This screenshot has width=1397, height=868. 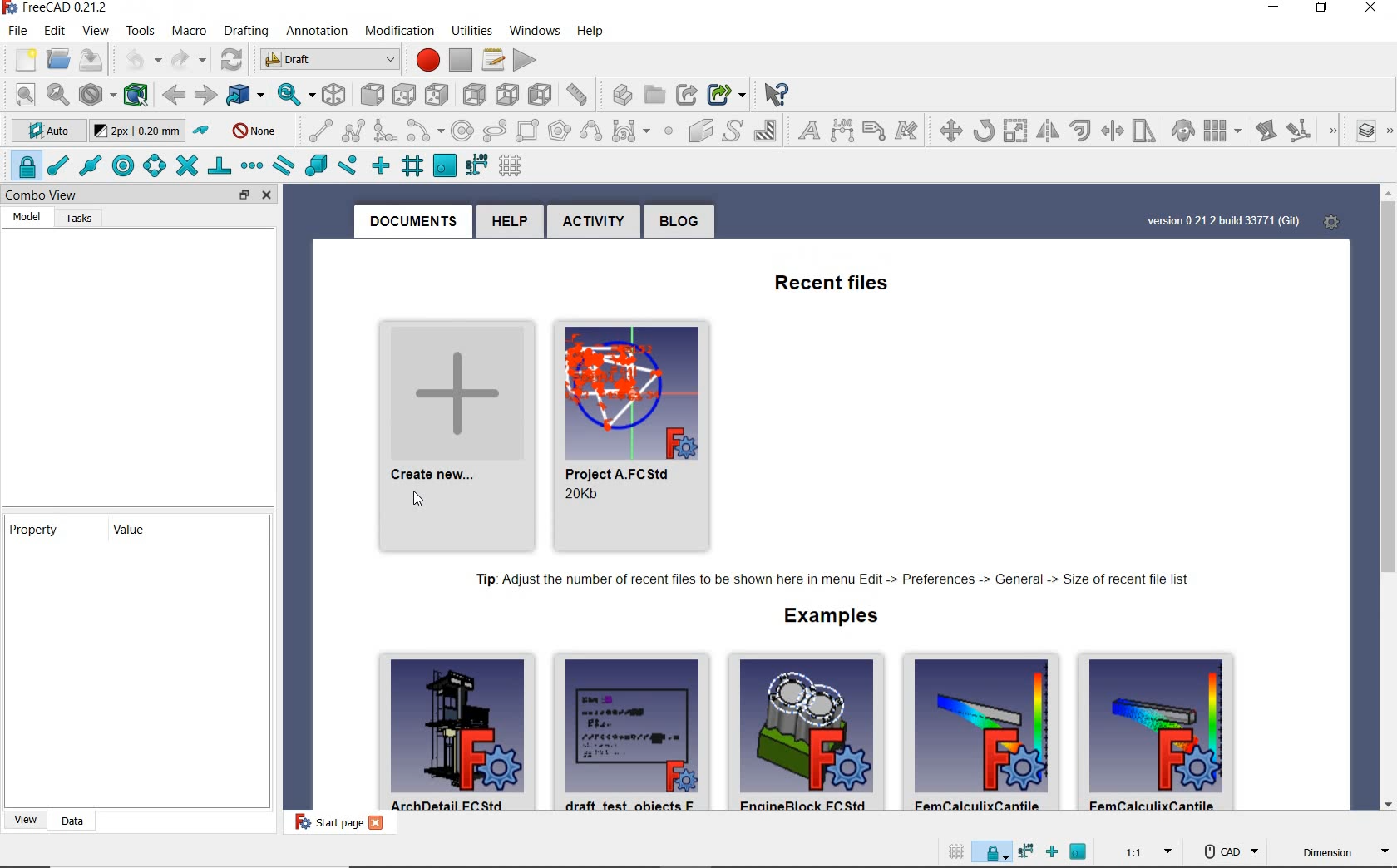 I want to click on snap dimensions, so click(x=476, y=165).